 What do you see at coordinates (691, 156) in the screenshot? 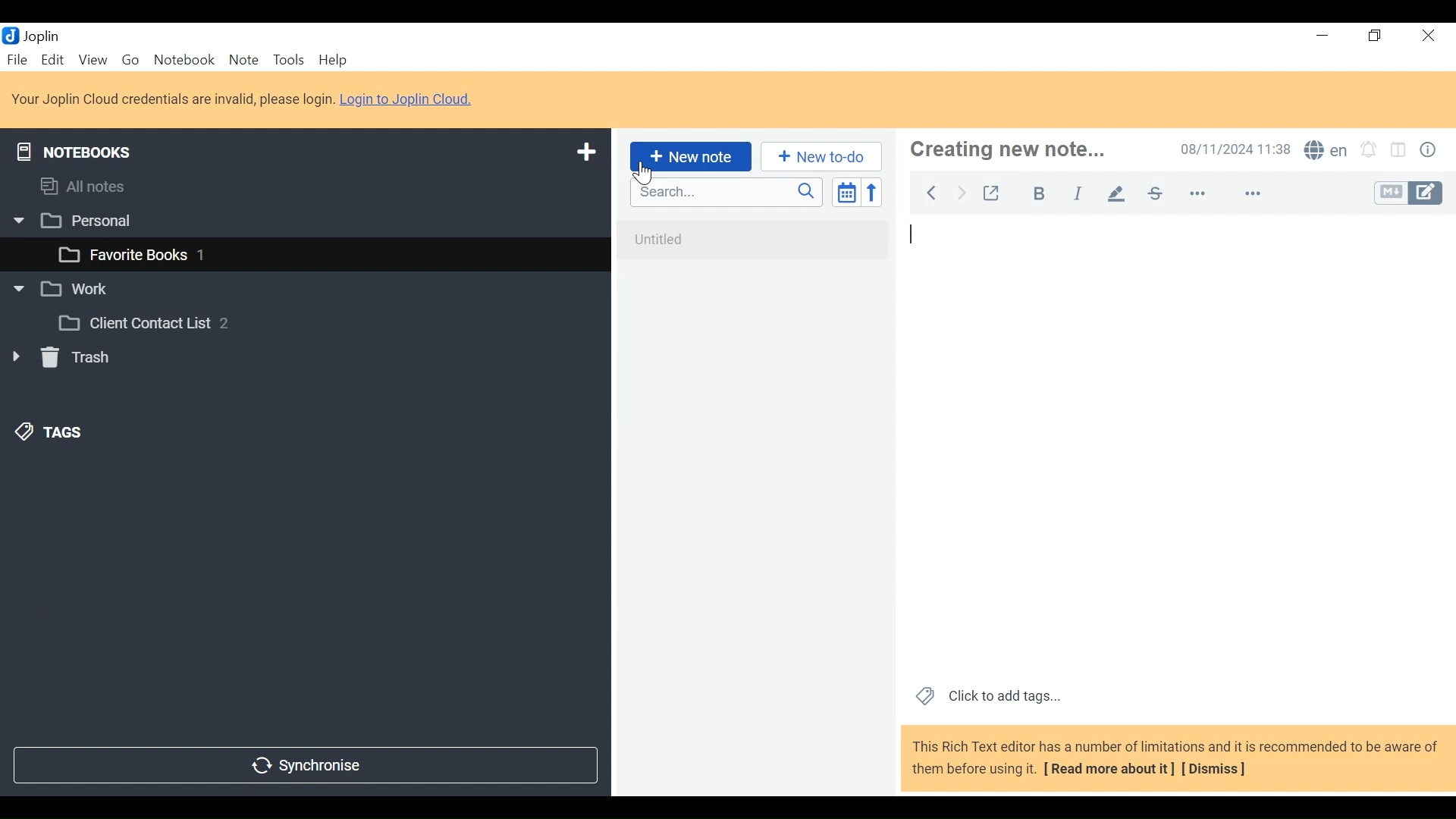
I see `New Note` at bounding box center [691, 156].